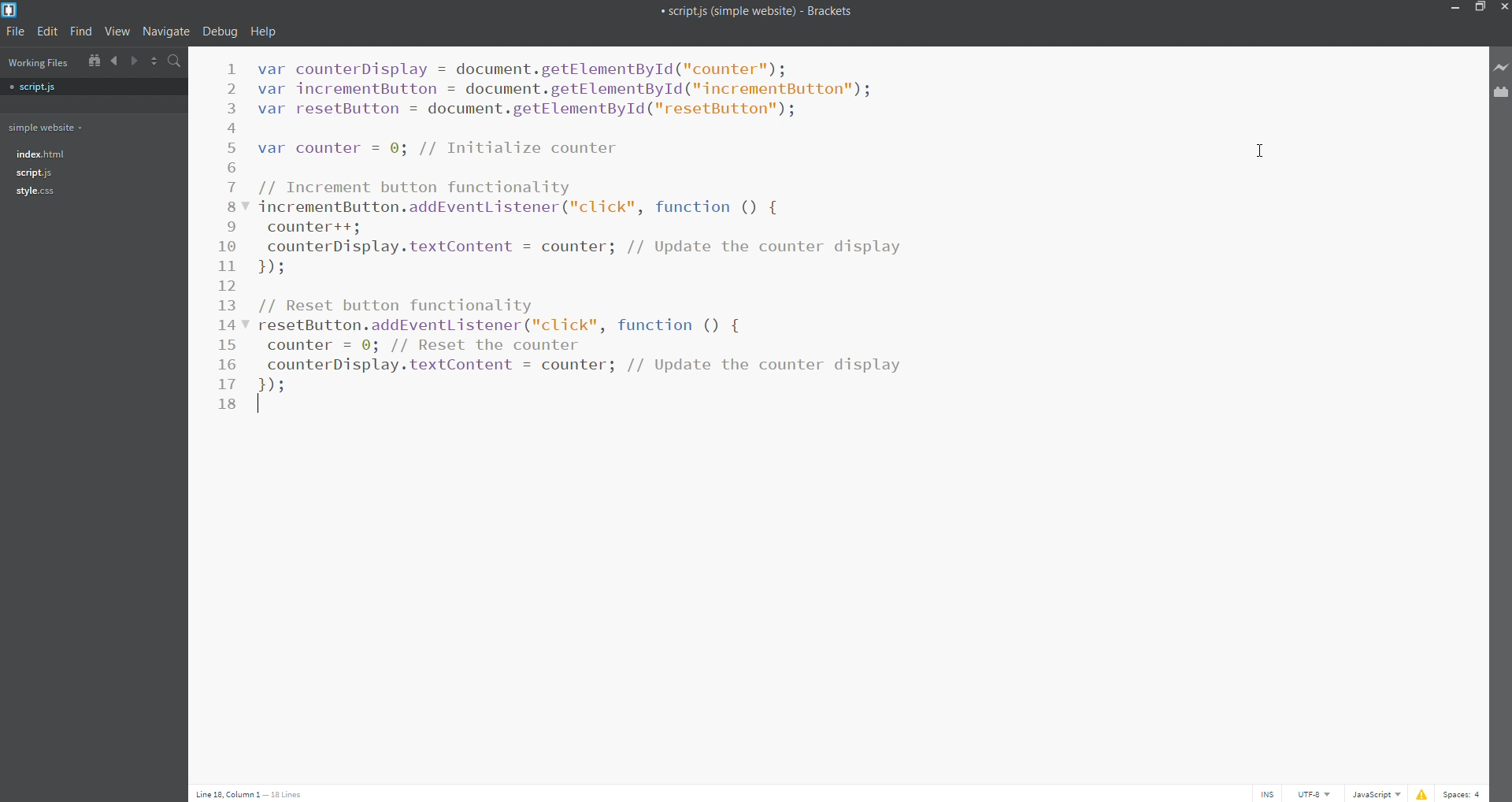  What do you see at coordinates (176, 60) in the screenshot?
I see `search` at bounding box center [176, 60].